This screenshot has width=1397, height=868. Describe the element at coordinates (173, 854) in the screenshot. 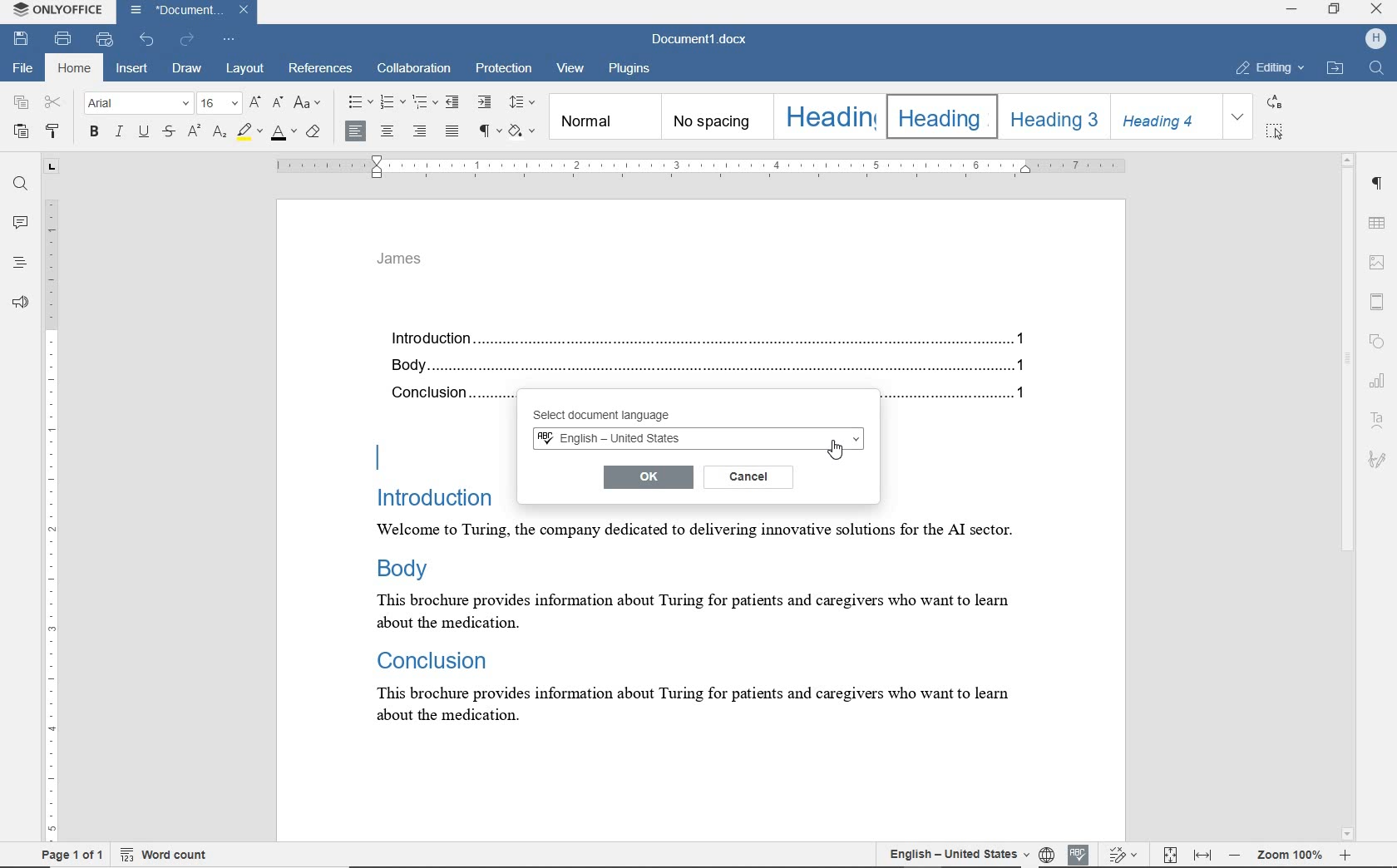

I see `word count` at that location.